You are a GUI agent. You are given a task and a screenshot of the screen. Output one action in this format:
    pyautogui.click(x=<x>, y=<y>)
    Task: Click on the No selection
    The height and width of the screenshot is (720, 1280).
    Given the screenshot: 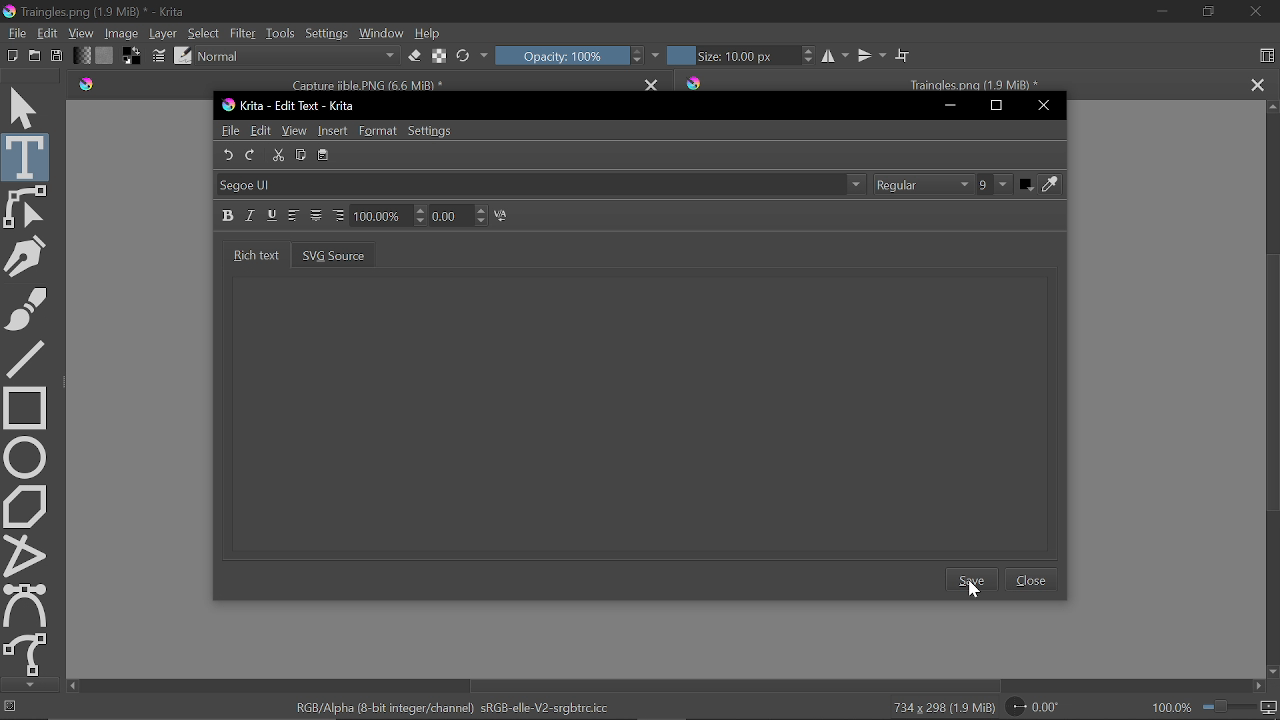 What is the action you would take?
    pyautogui.click(x=11, y=709)
    